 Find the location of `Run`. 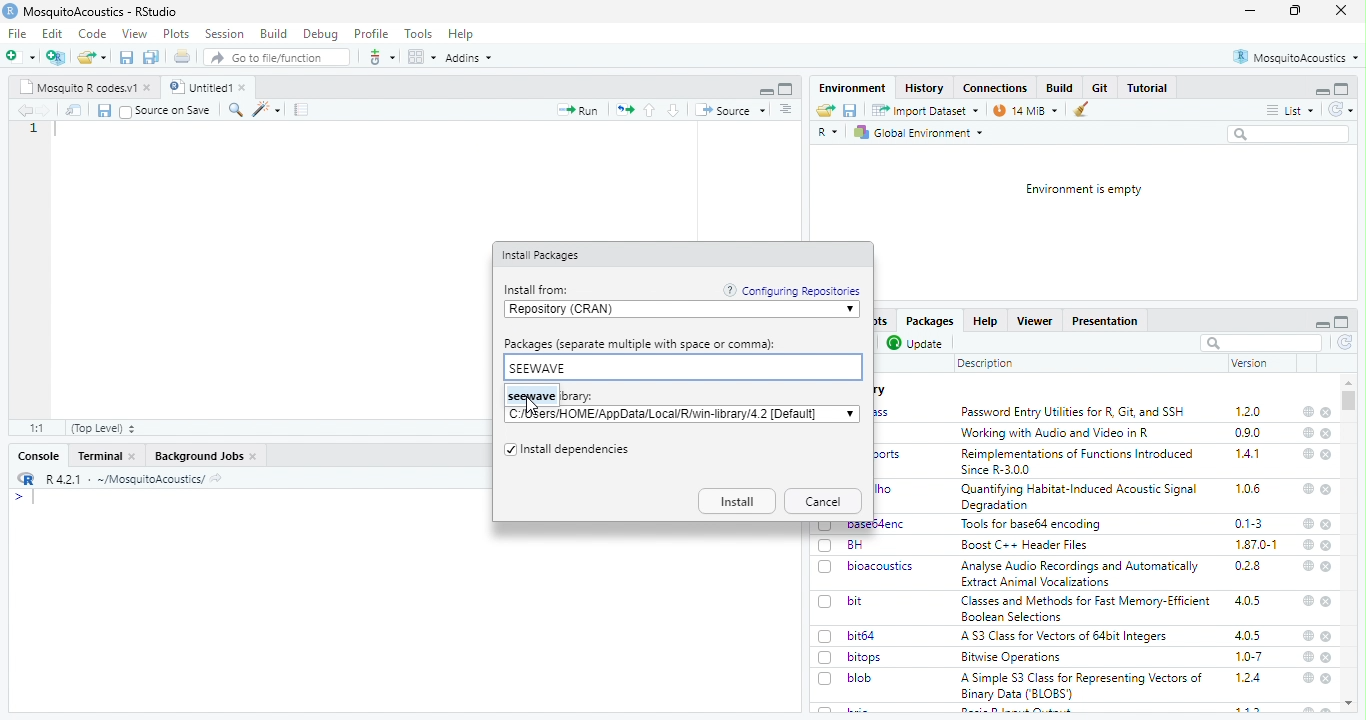

Run is located at coordinates (577, 110).